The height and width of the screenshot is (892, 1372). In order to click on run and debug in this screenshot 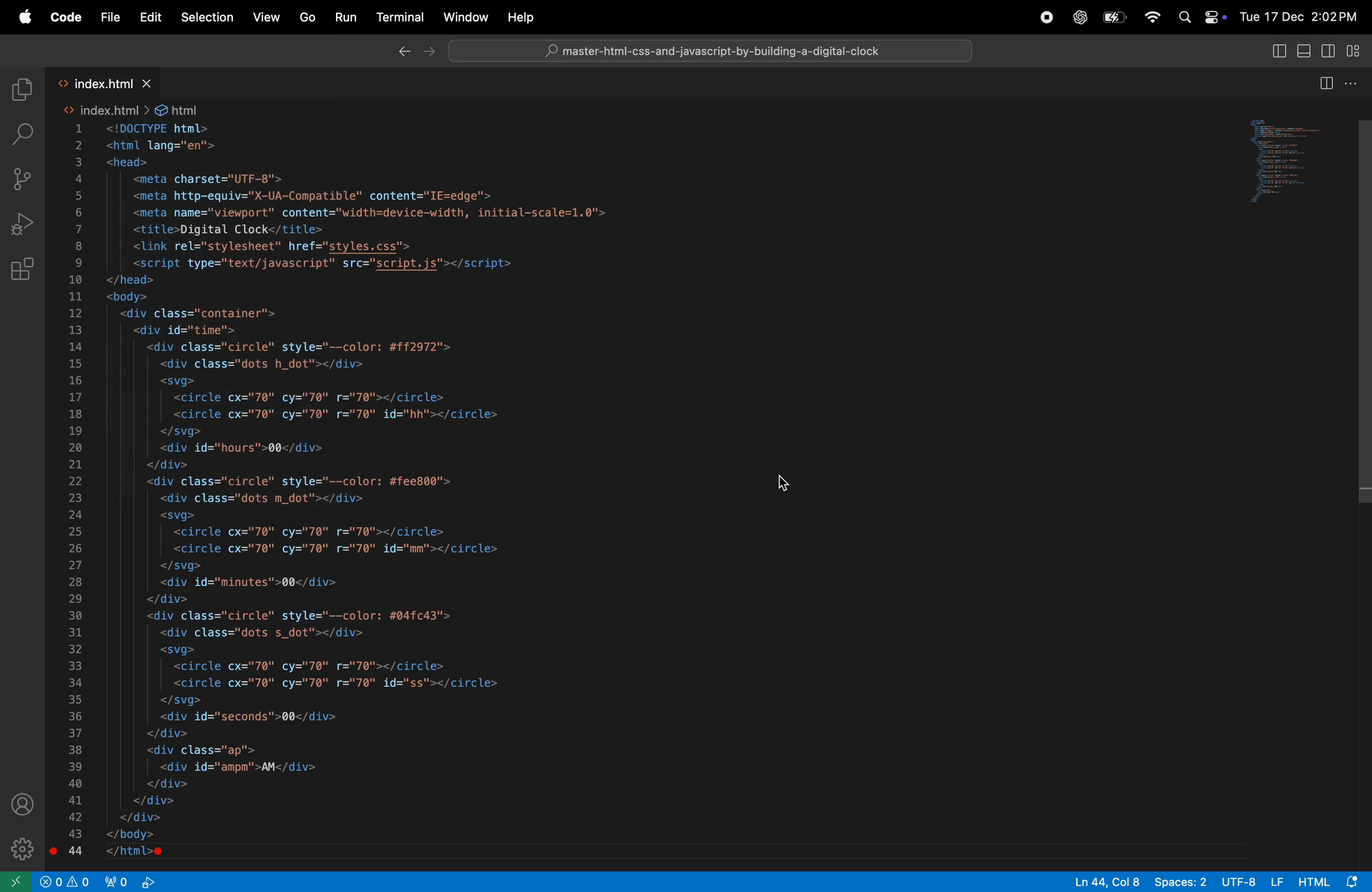, I will do `click(22, 224)`.